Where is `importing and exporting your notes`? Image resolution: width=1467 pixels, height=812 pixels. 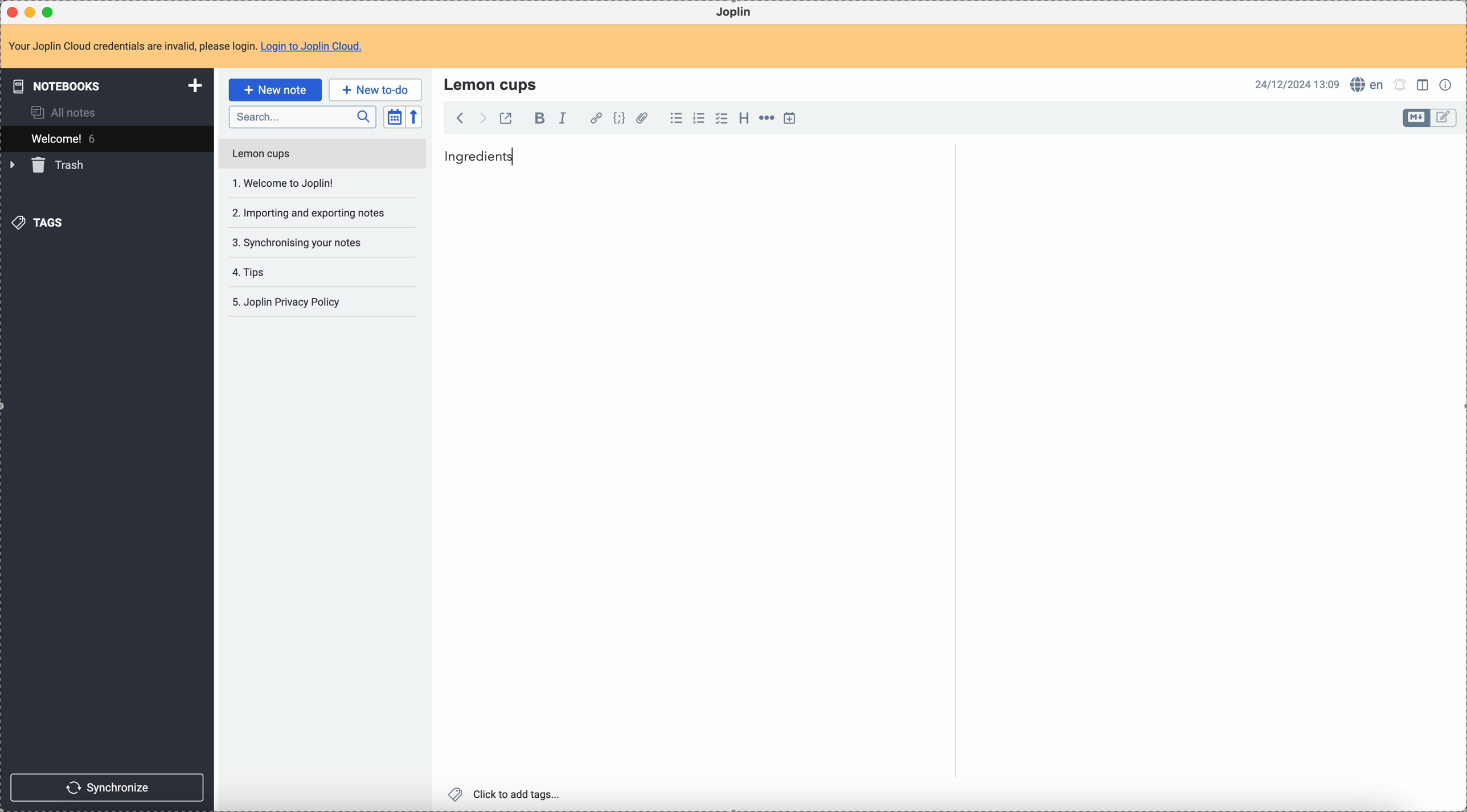
importing and exporting your notes is located at coordinates (310, 213).